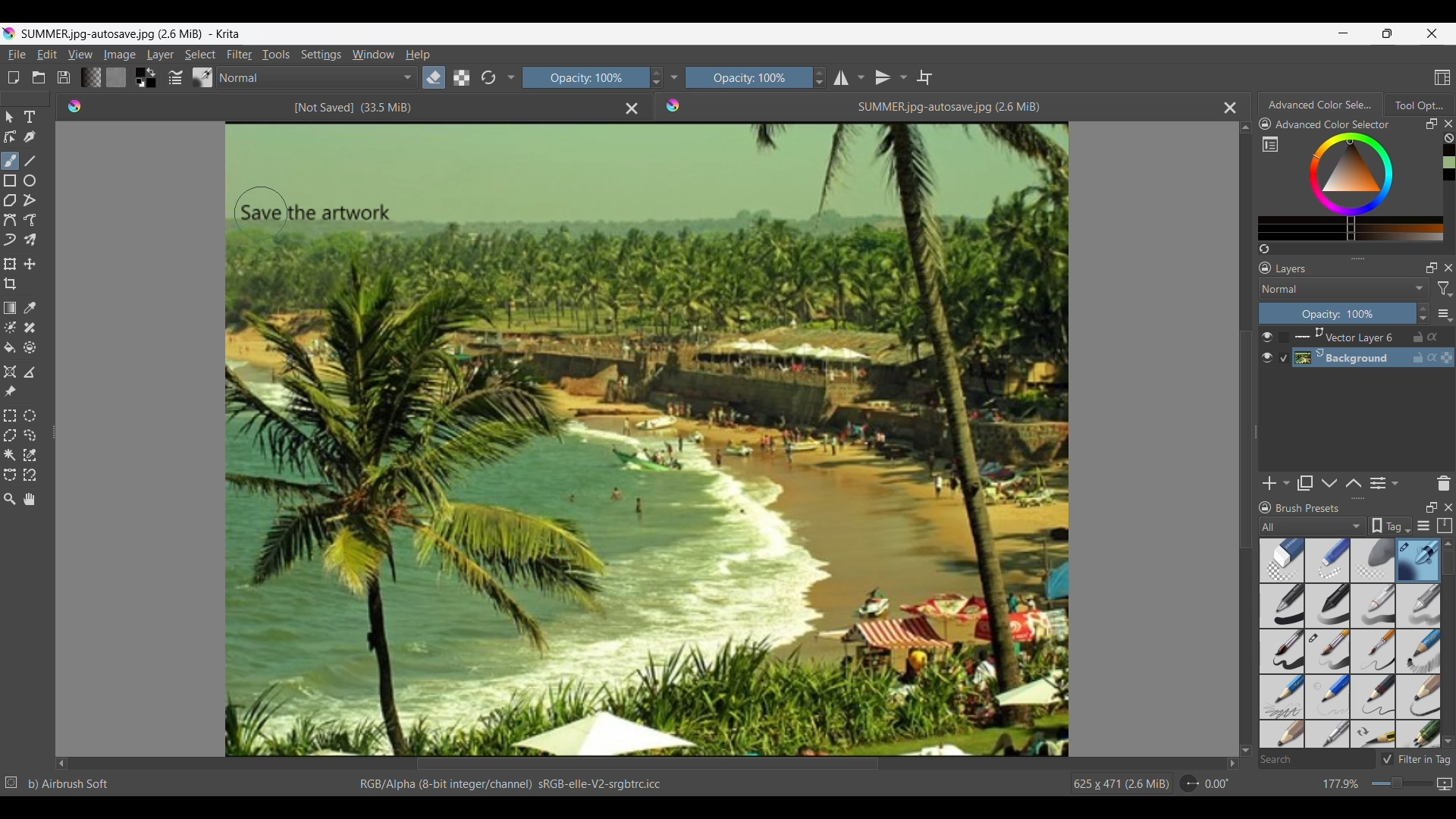  Describe the element at coordinates (11, 783) in the screenshot. I see `No selection ` at that location.